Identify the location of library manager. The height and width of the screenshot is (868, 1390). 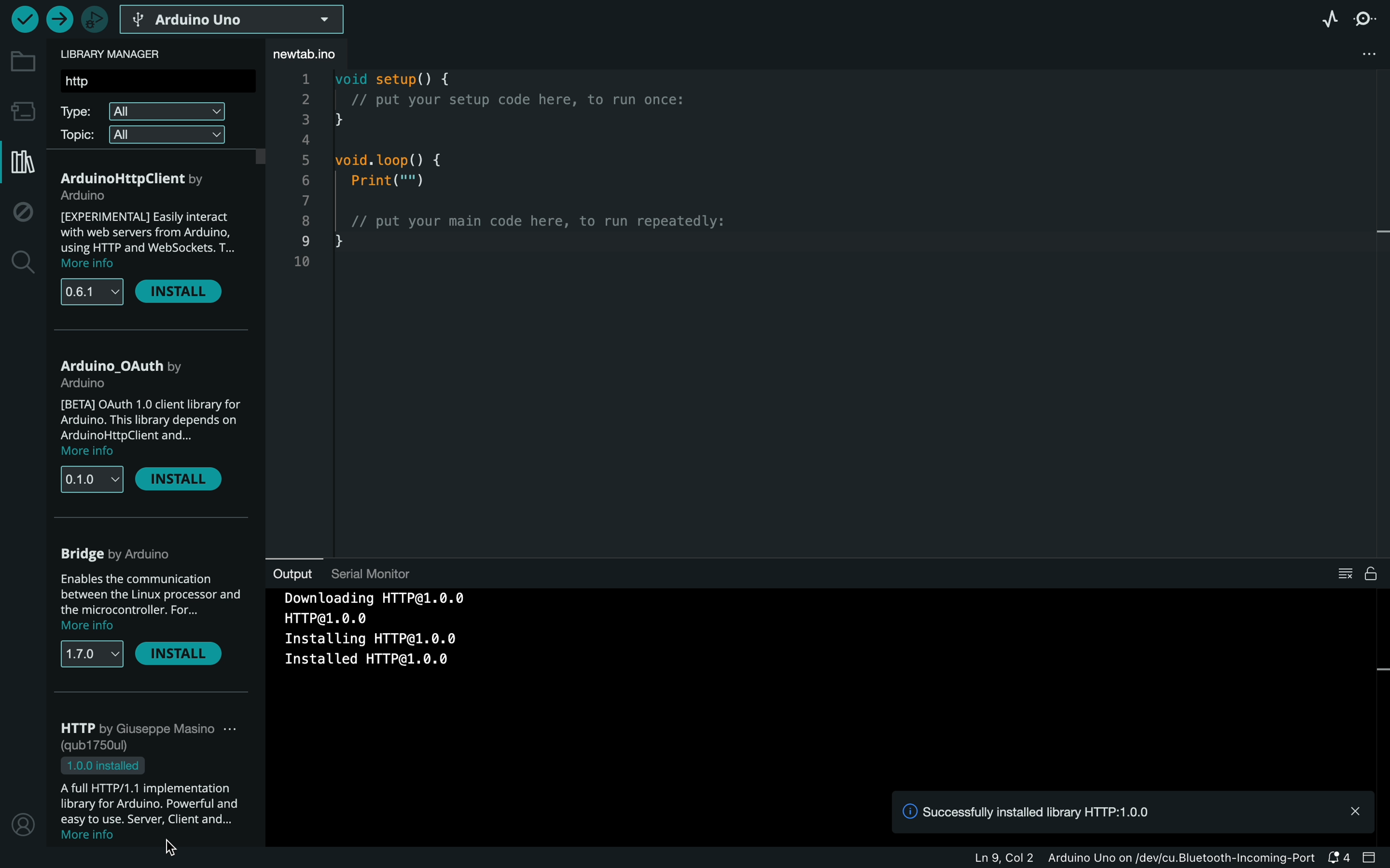
(132, 53).